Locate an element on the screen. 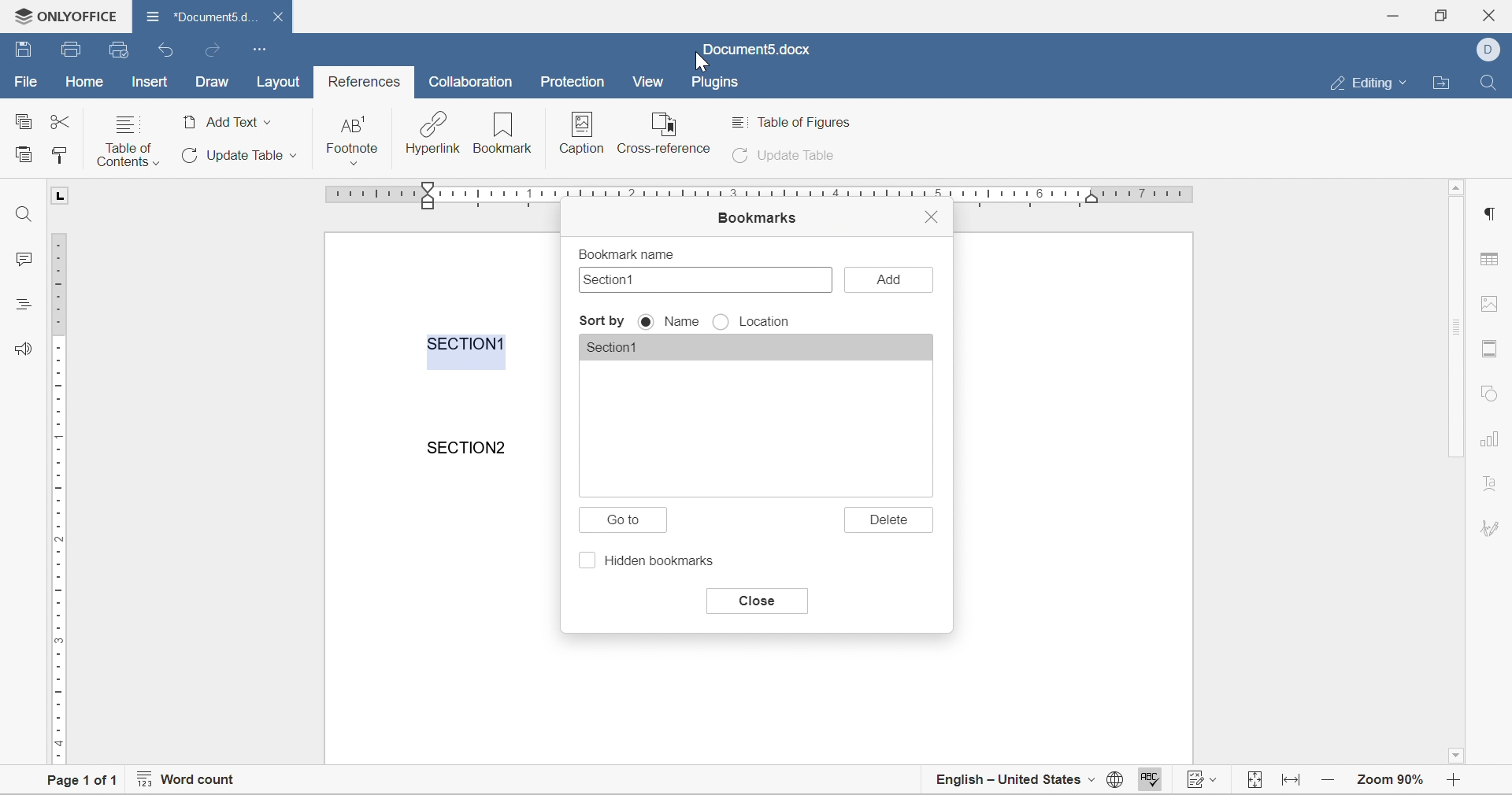 This screenshot has height=795, width=1512. hyperlink is located at coordinates (432, 133).